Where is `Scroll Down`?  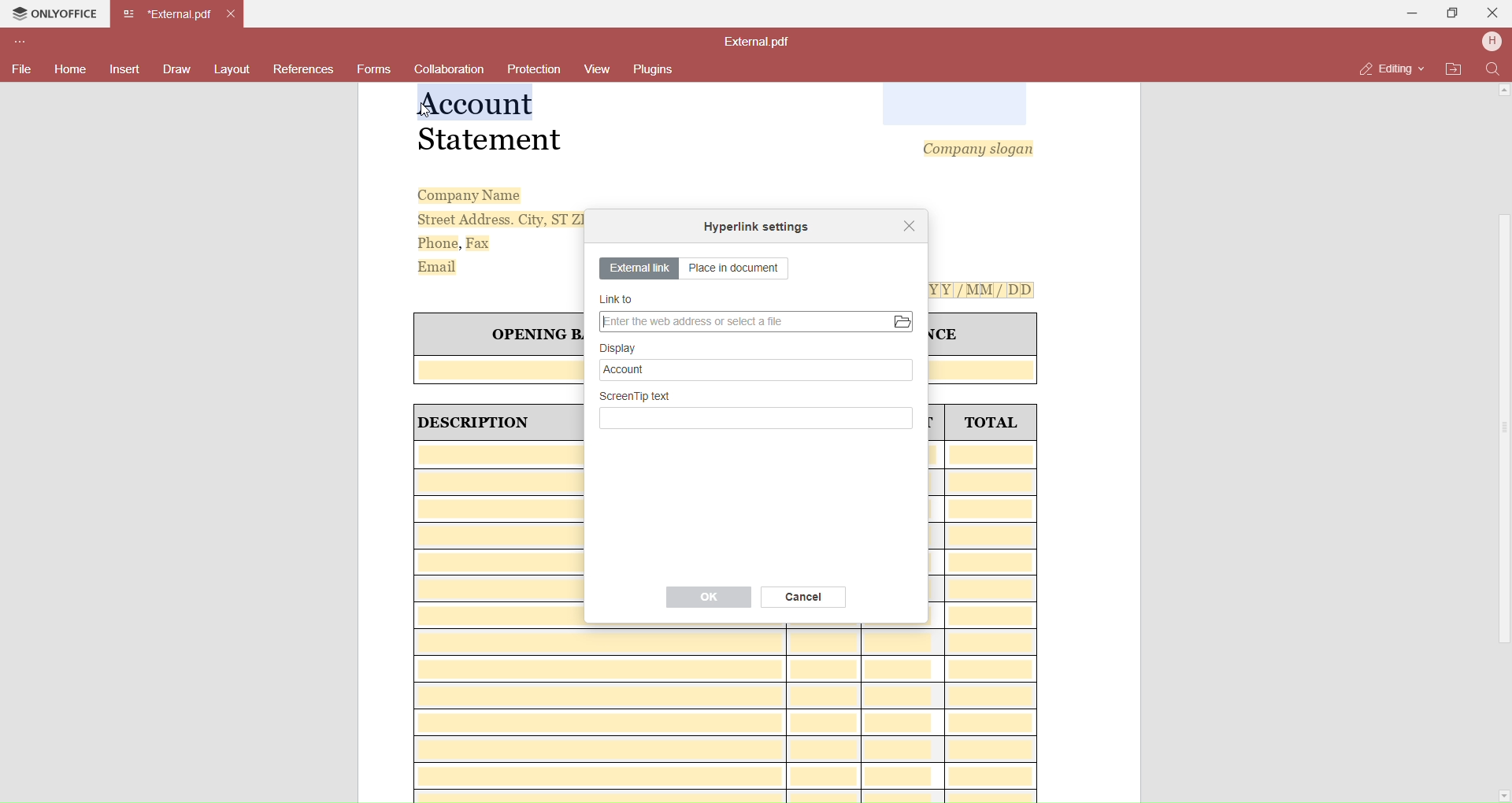
Scroll Down is located at coordinates (1501, 794).